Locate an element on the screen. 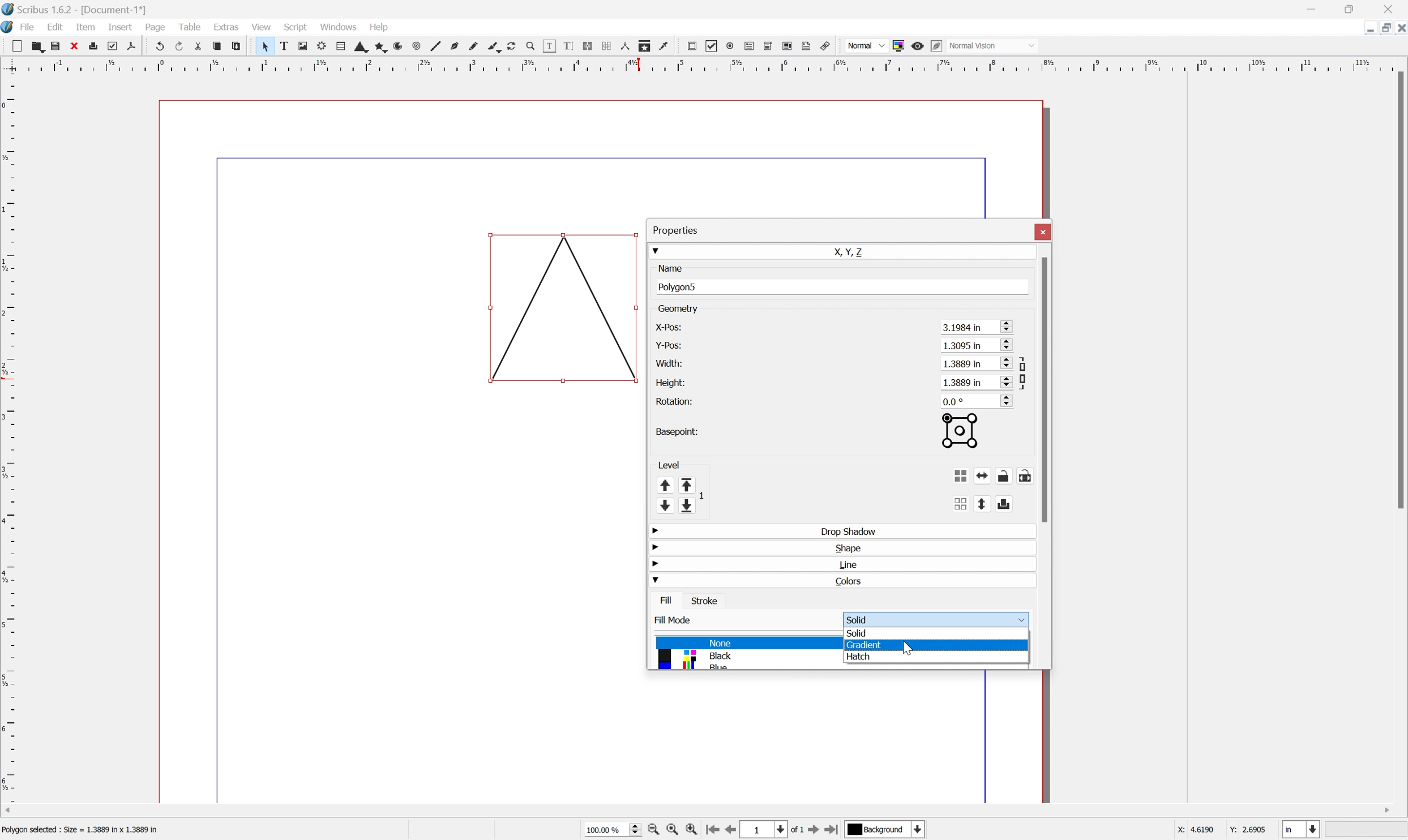  Edit is located at coordinates (57, 27).